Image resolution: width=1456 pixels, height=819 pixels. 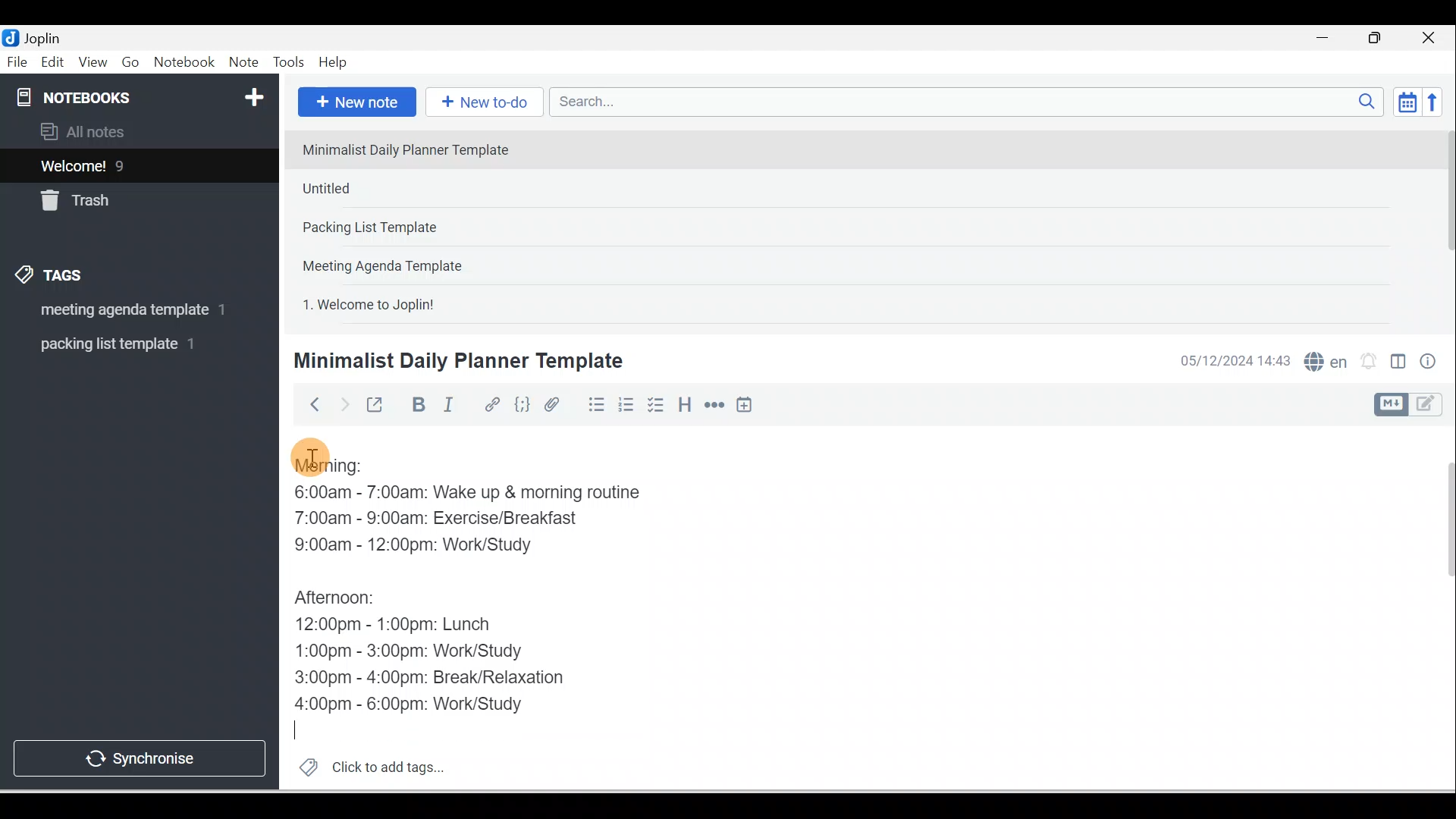 What do you see at coordinates (242, 63) in the screenshot?
I see `Note` at bounding box center [242, 63].